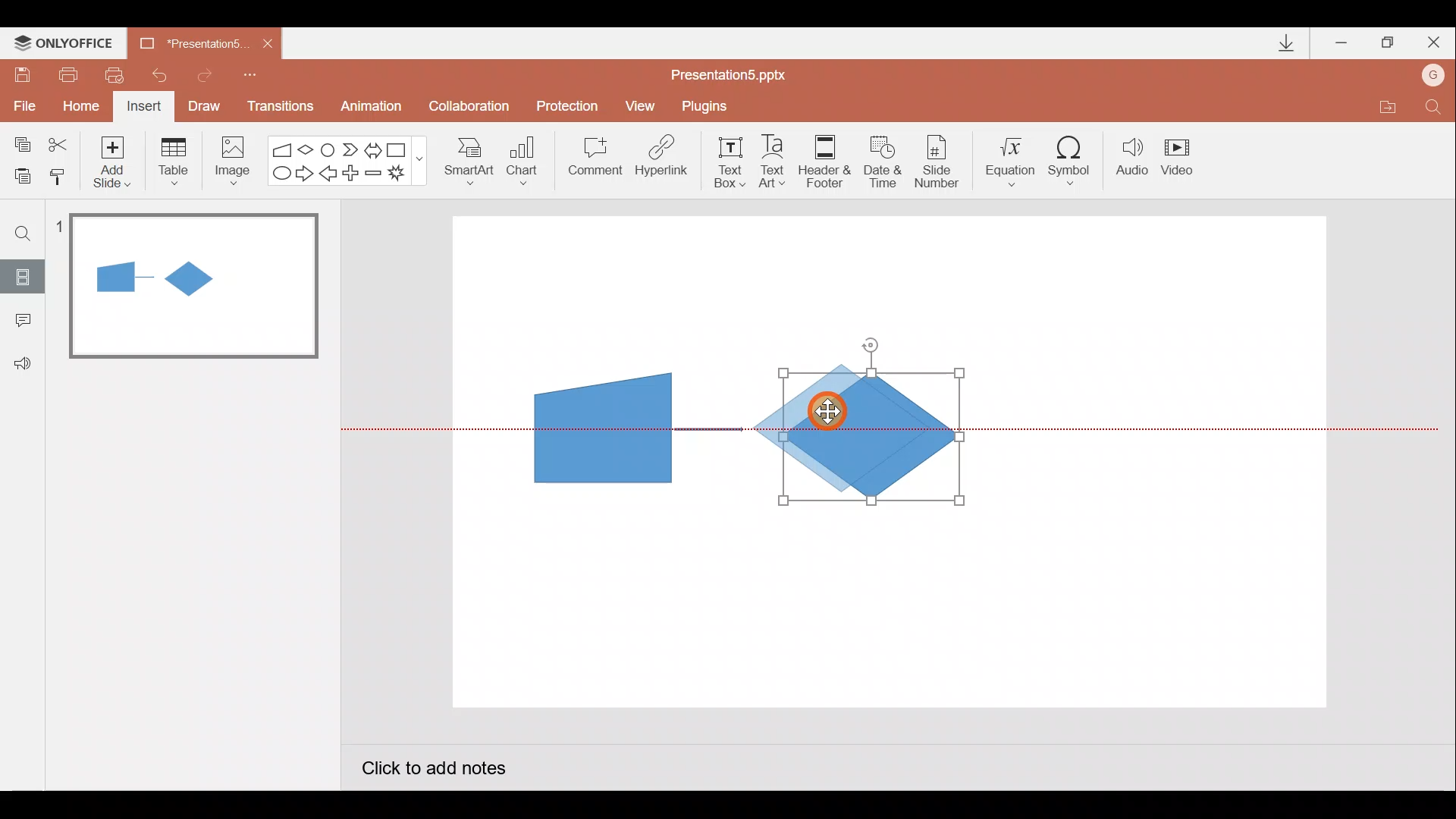  What do you see at coordinates (308, 149) in the screenshot?
I see `Flow chart-decision` at bounding box center [308, 149].